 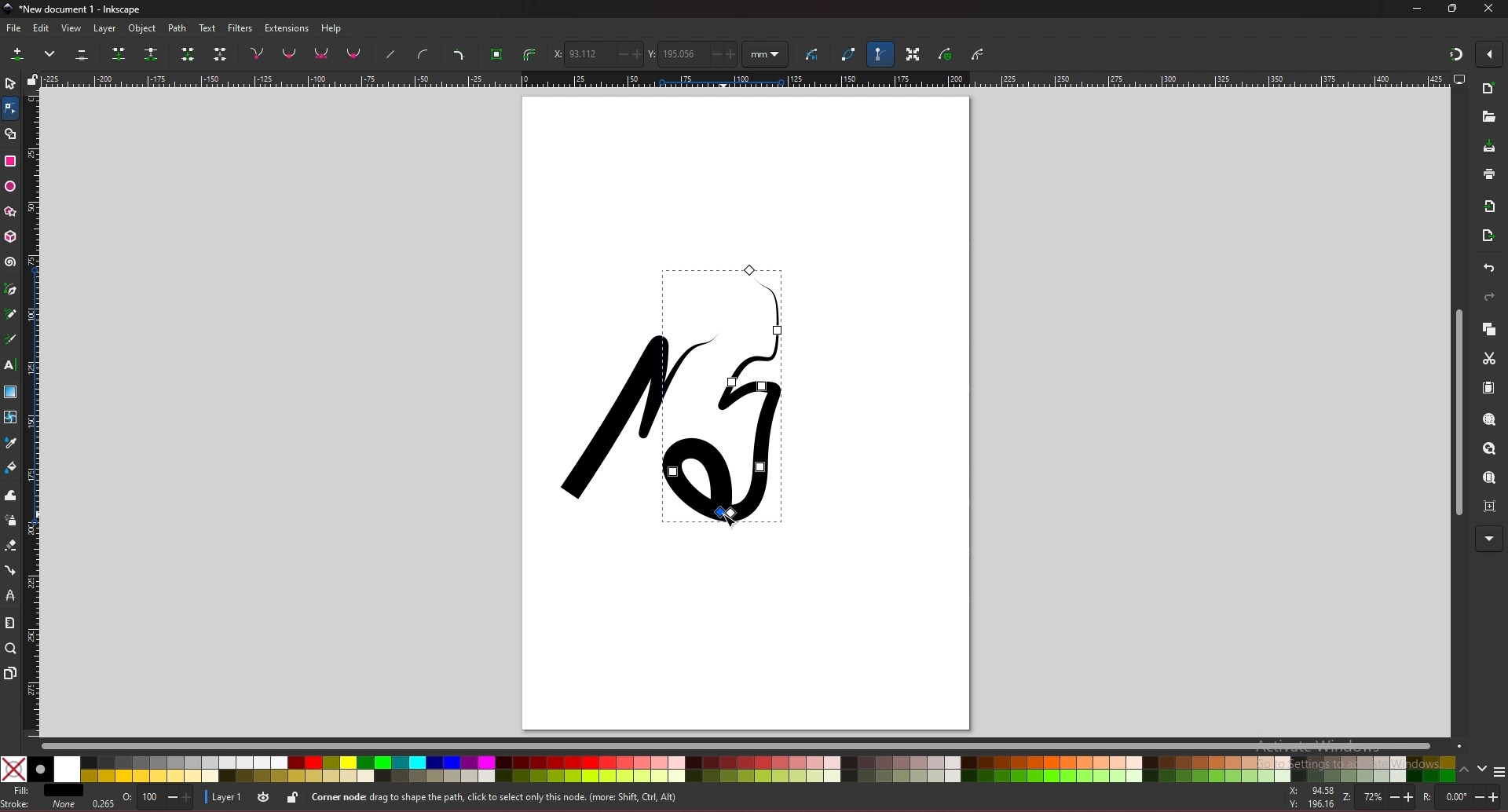 I want to click on minimize, so click(x=1418, y=9).